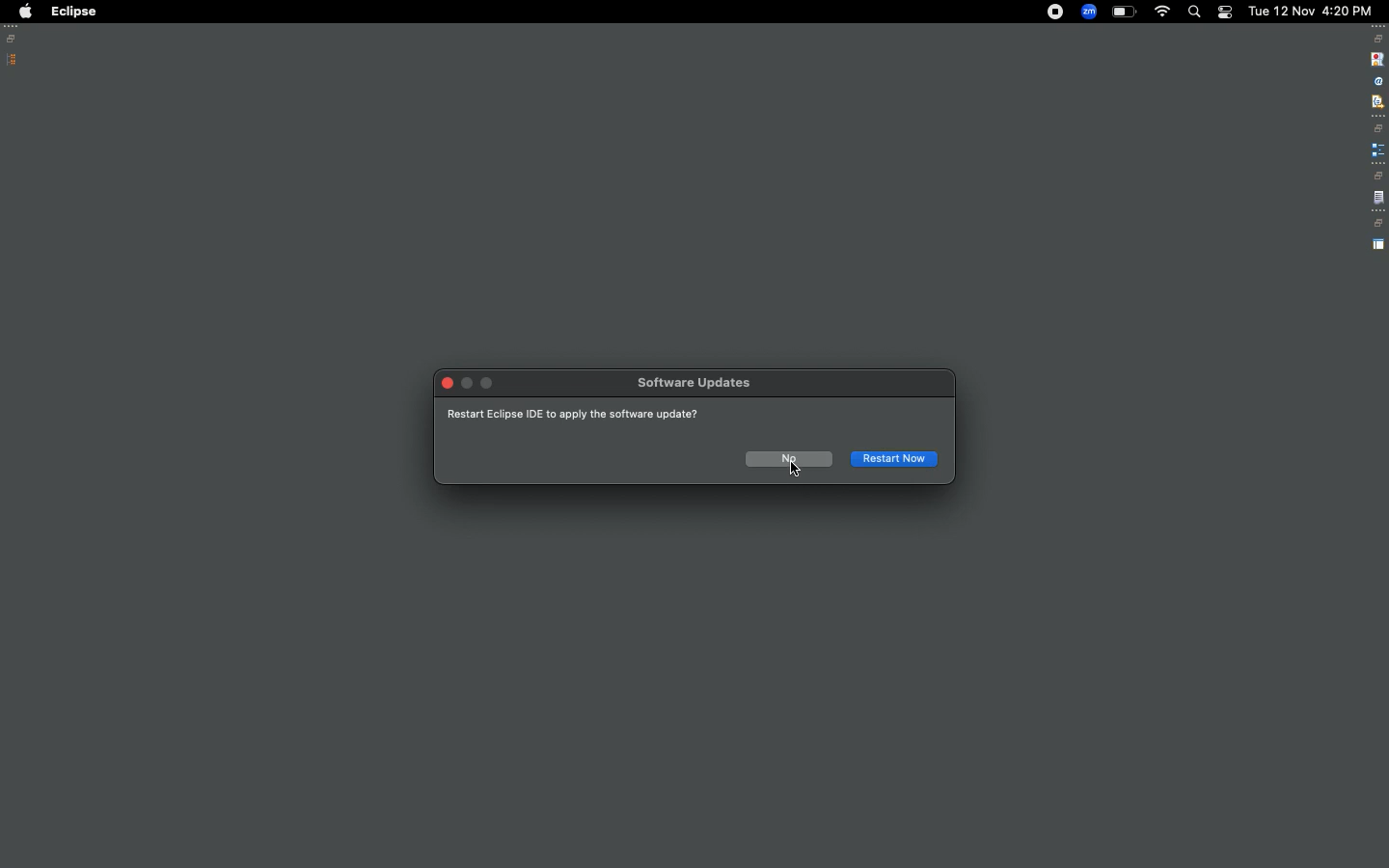  What do you see at coordinates (13, 60) in the screenshot?
I see `Package explorer` at bounding box center [13, 60].